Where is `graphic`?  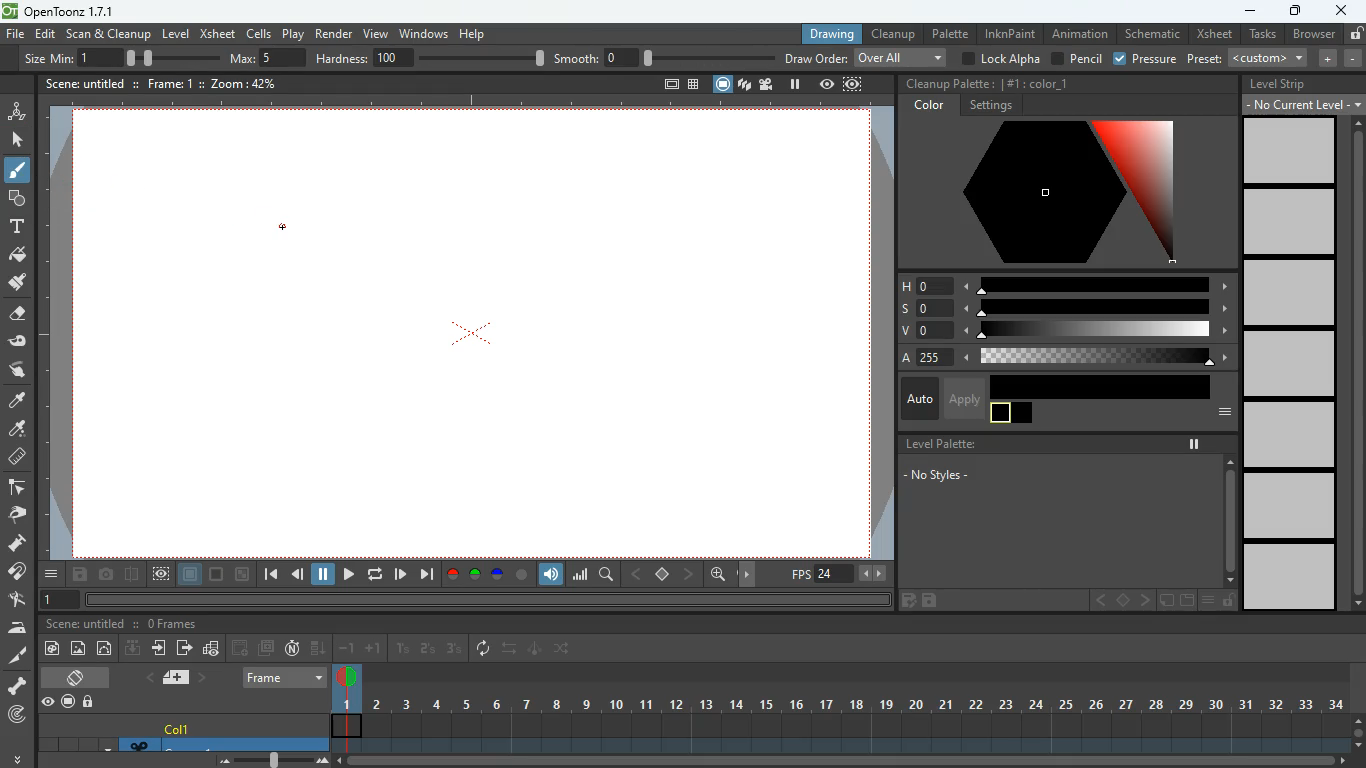 graphic is located at coordinates (211, 650).